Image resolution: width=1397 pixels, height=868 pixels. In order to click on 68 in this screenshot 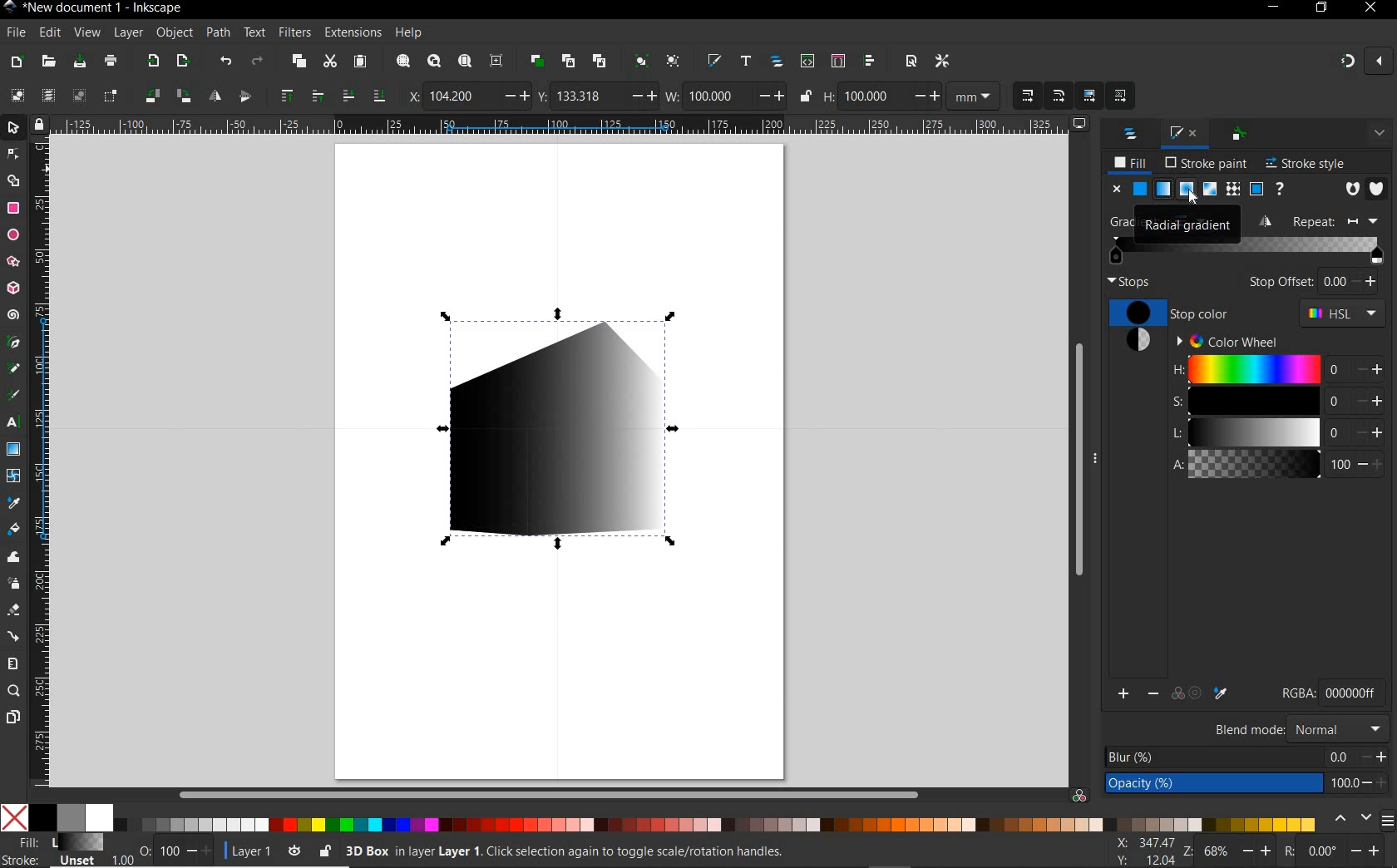, I will do `click(1217, 851)`.